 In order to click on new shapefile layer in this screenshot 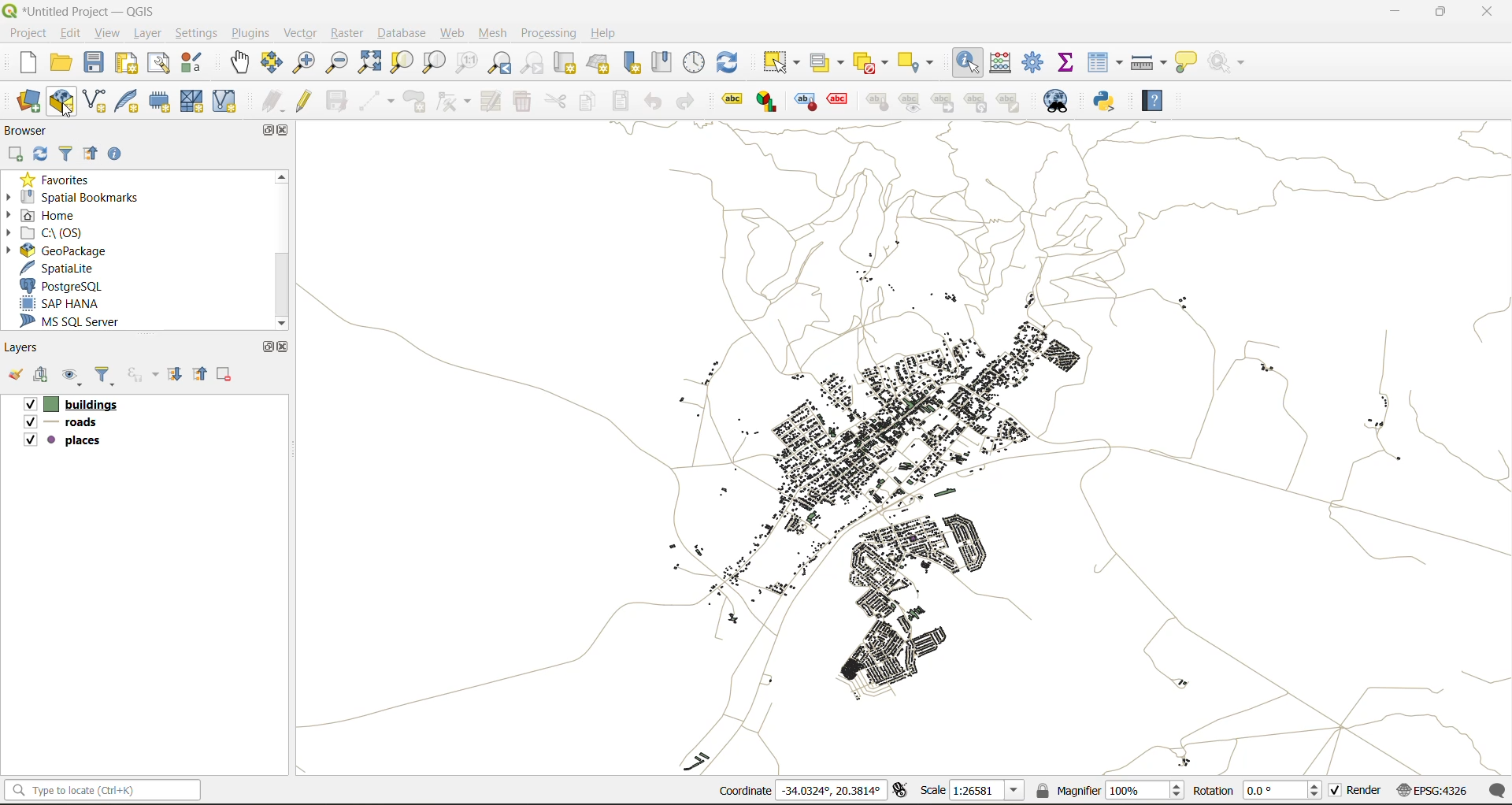, I will do `click(95, 102)`.